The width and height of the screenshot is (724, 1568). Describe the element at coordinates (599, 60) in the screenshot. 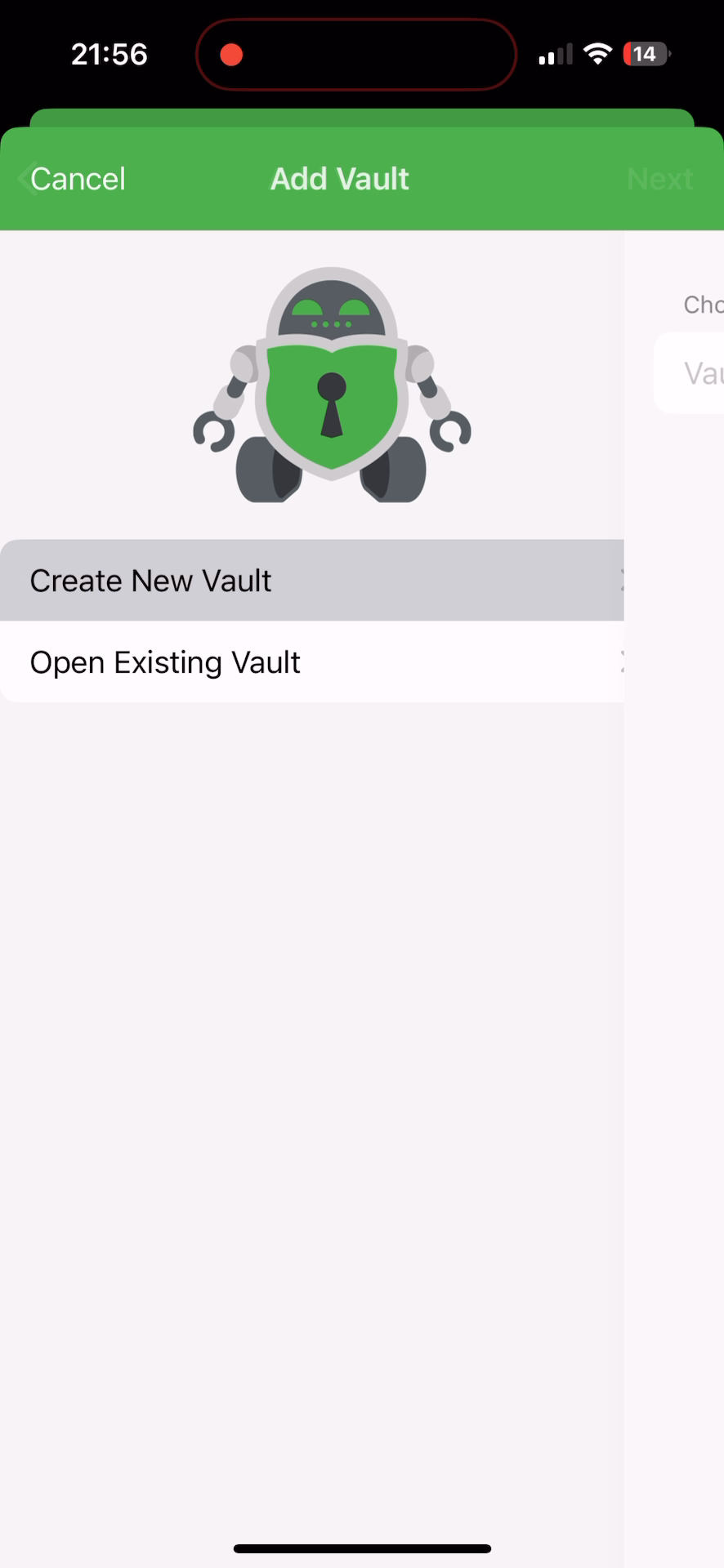

I see `wi-fi` at that location.